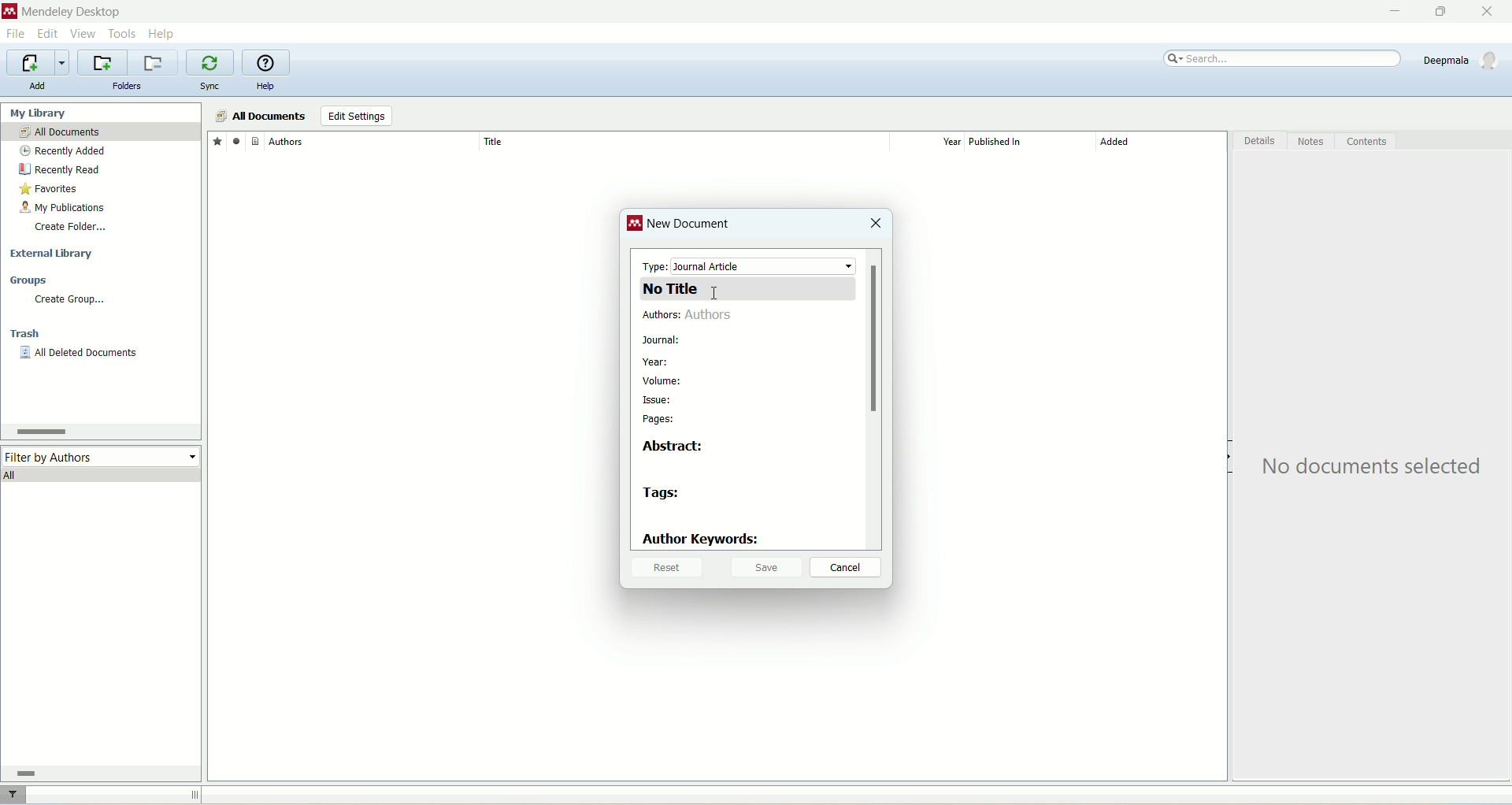  What do you see at coordinates (750, 265) in the screenshot?
I see `type` at bounding box center [750, 265].